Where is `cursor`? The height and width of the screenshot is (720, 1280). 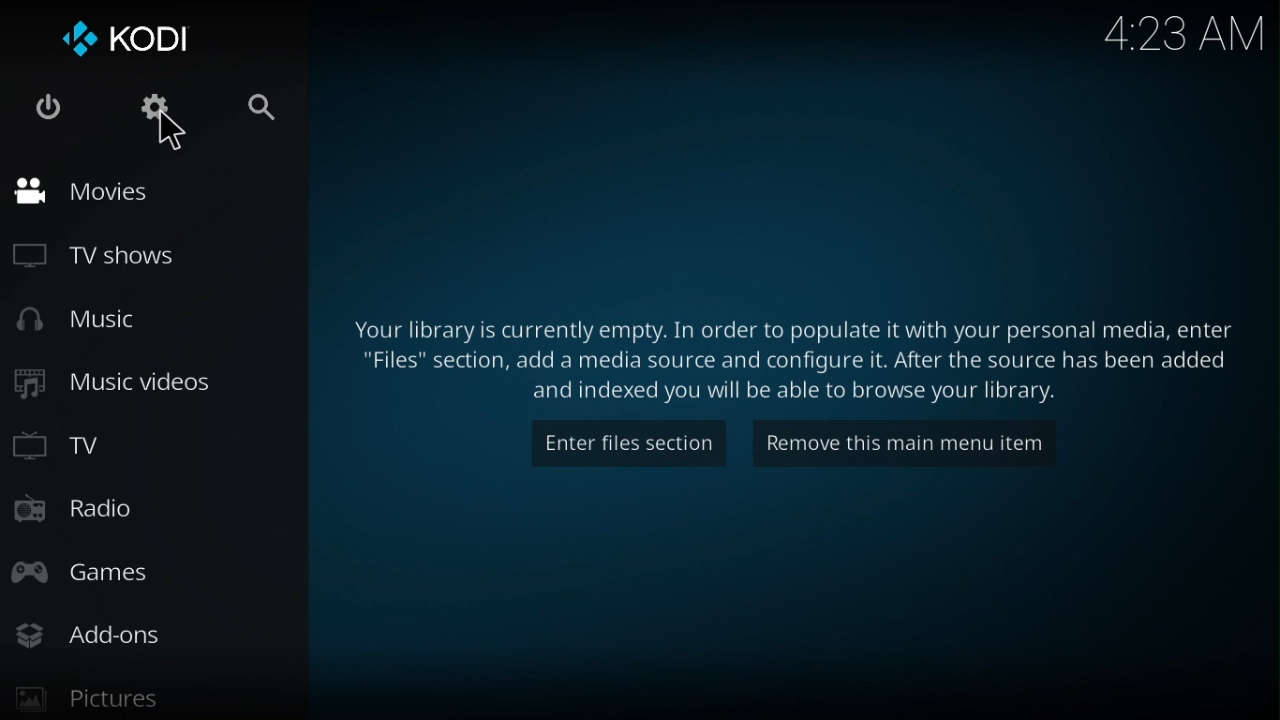
cursor is located at coordinates (172, 132).